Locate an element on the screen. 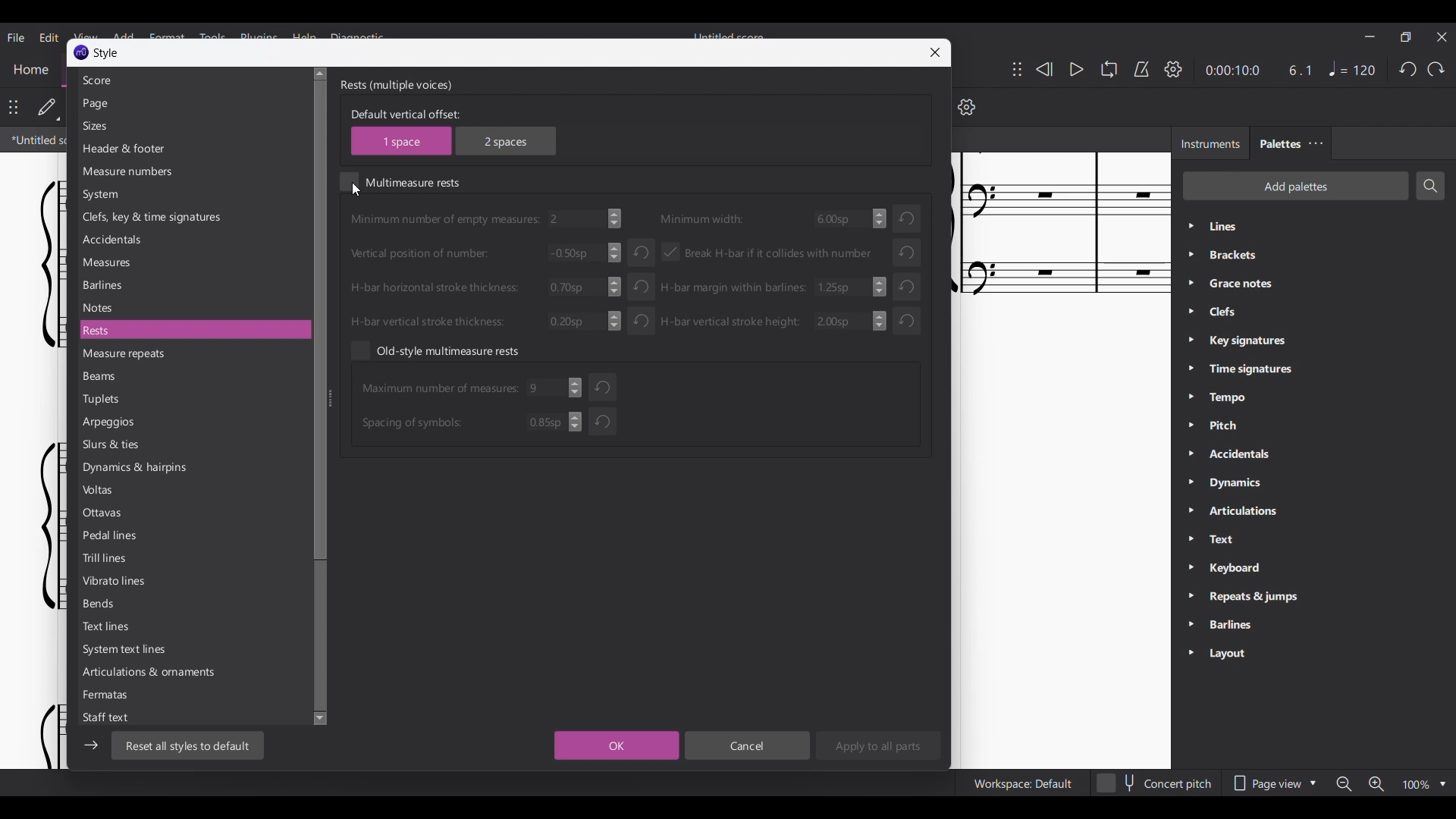 This screenshot has height=819, width=1456. Slurs and ties is located at coordinates (192, 445).